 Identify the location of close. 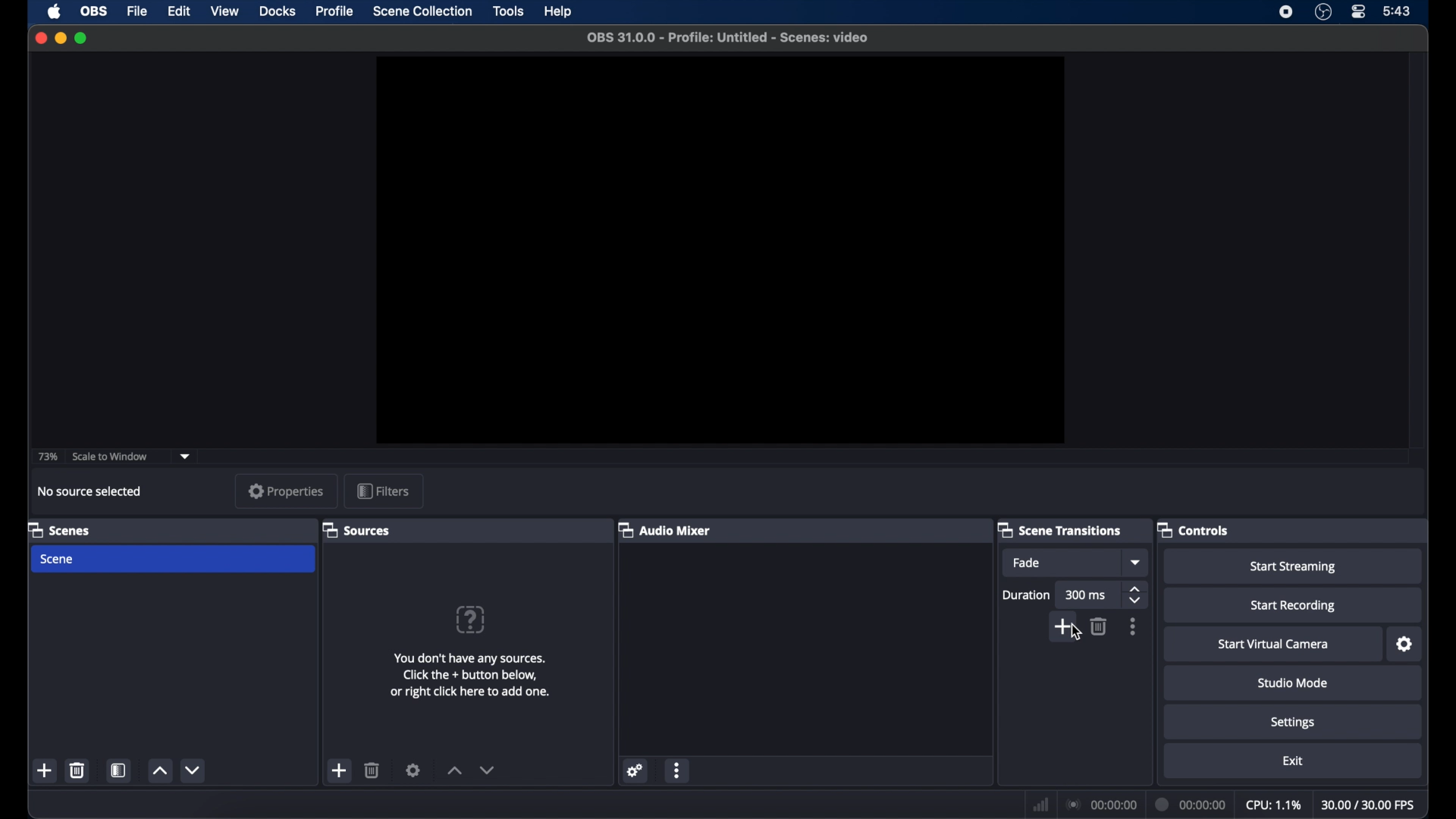
(40, 37).